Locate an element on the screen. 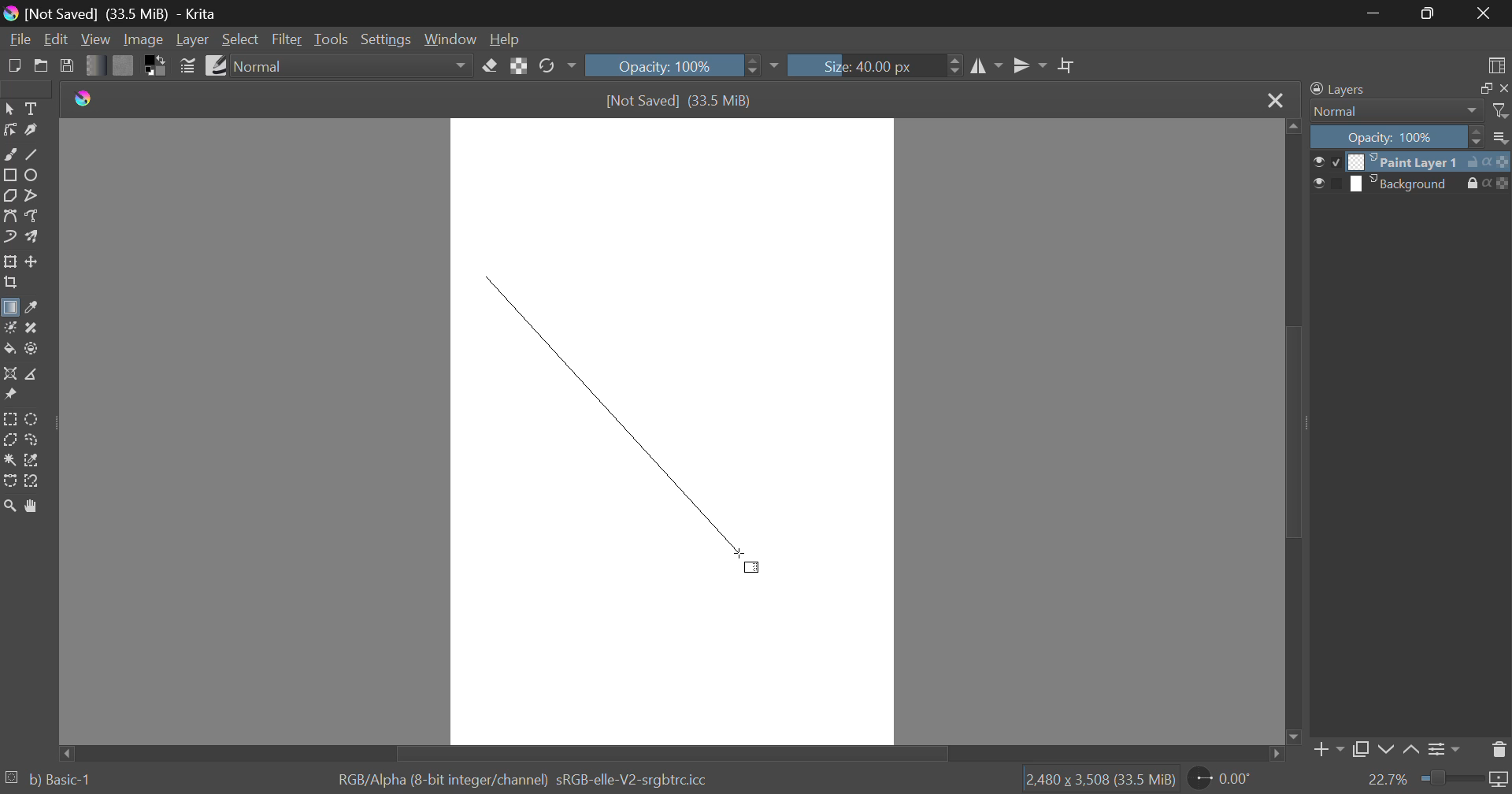  b) Basic-1 is located at coordinates (49, 781).